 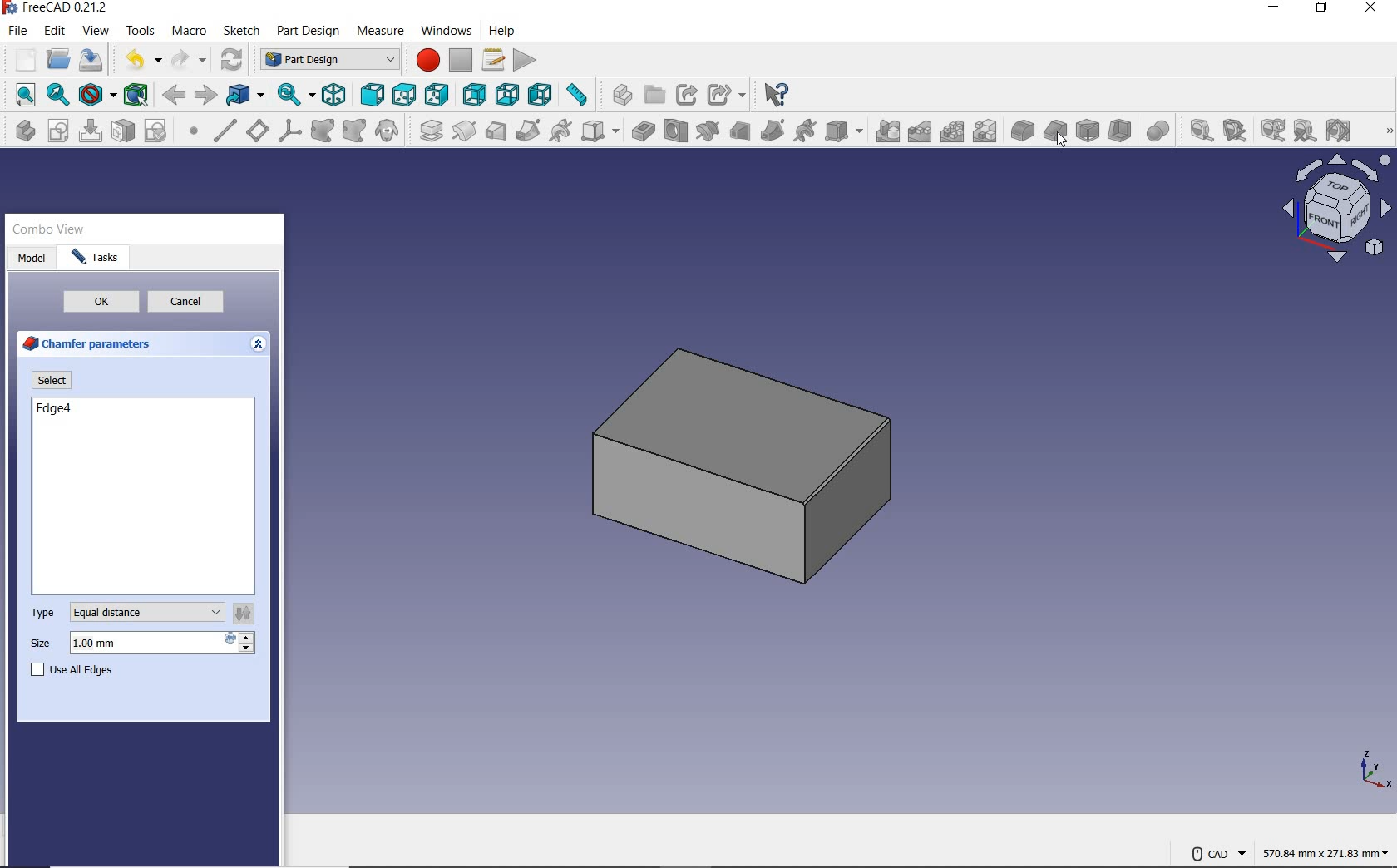 What do you see at coordinates (653, 96) in the screenshot?
I see `create group` at bounding box center [653, 96].